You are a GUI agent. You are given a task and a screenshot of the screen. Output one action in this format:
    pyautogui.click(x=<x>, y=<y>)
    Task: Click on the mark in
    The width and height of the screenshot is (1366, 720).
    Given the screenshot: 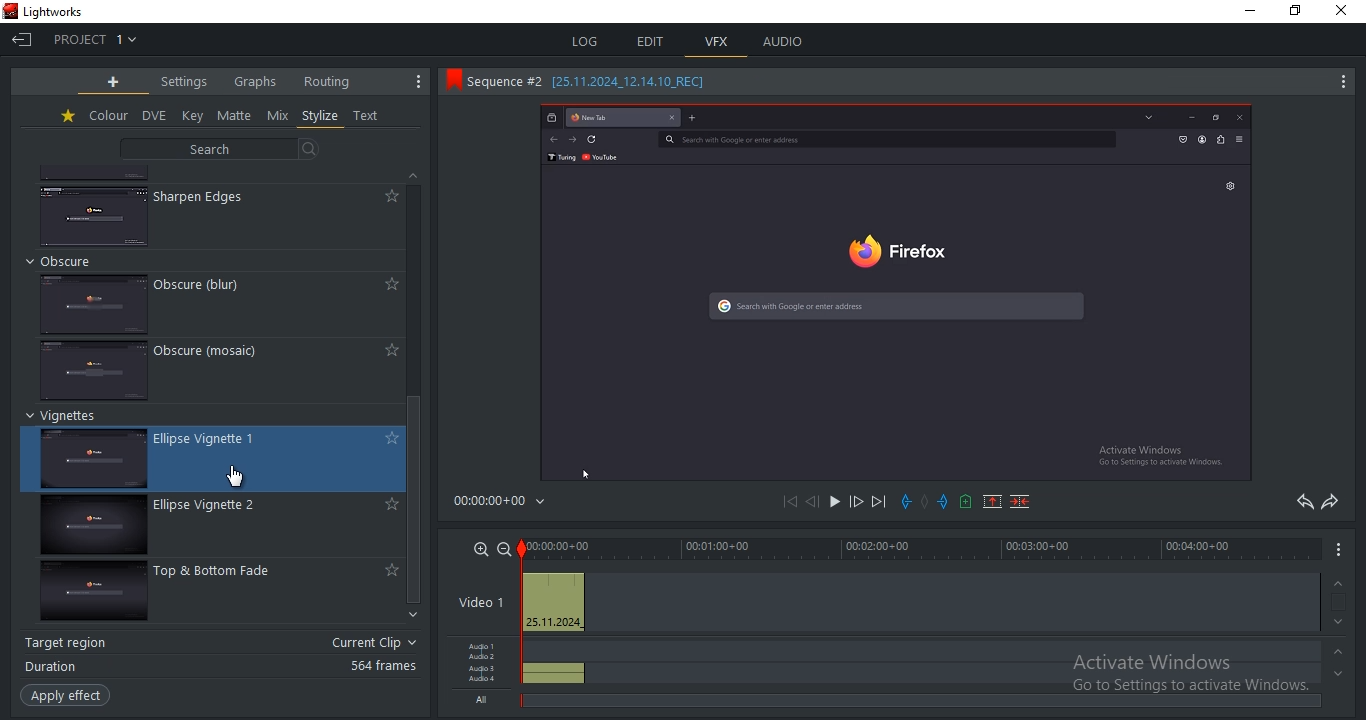 What is the action you would take?
    pyautogui.click(x=908, y=501)
    